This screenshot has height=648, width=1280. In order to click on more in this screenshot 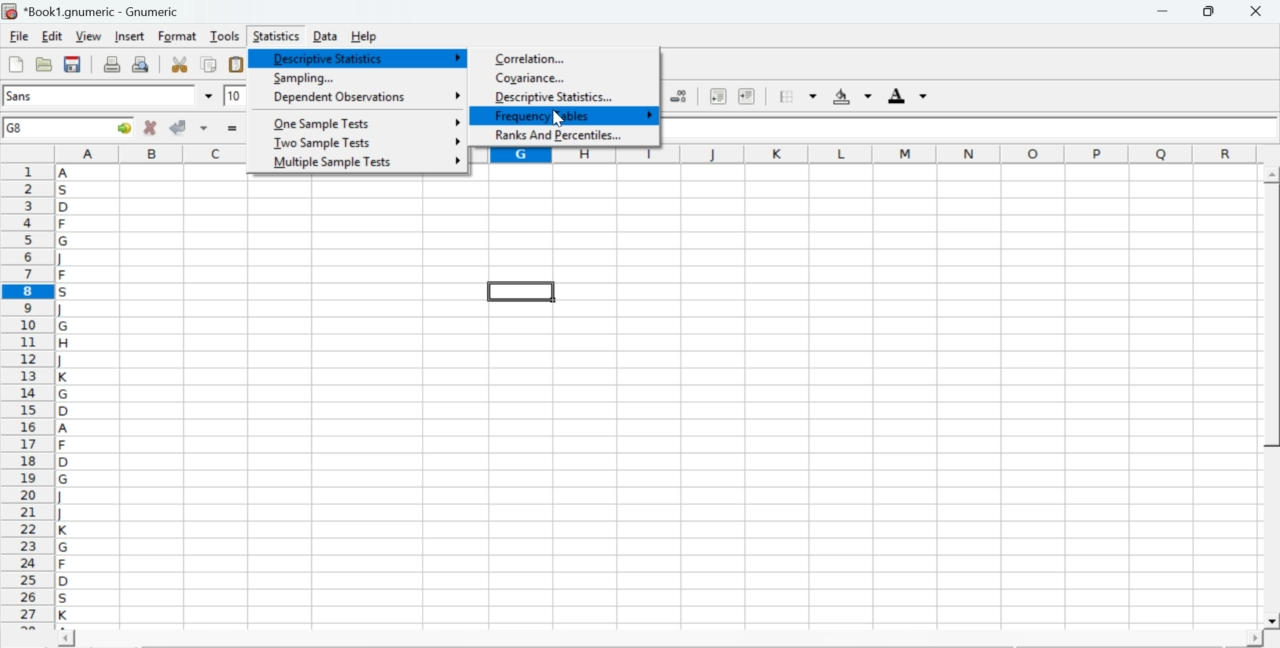, I will do `click(458, 141)`.